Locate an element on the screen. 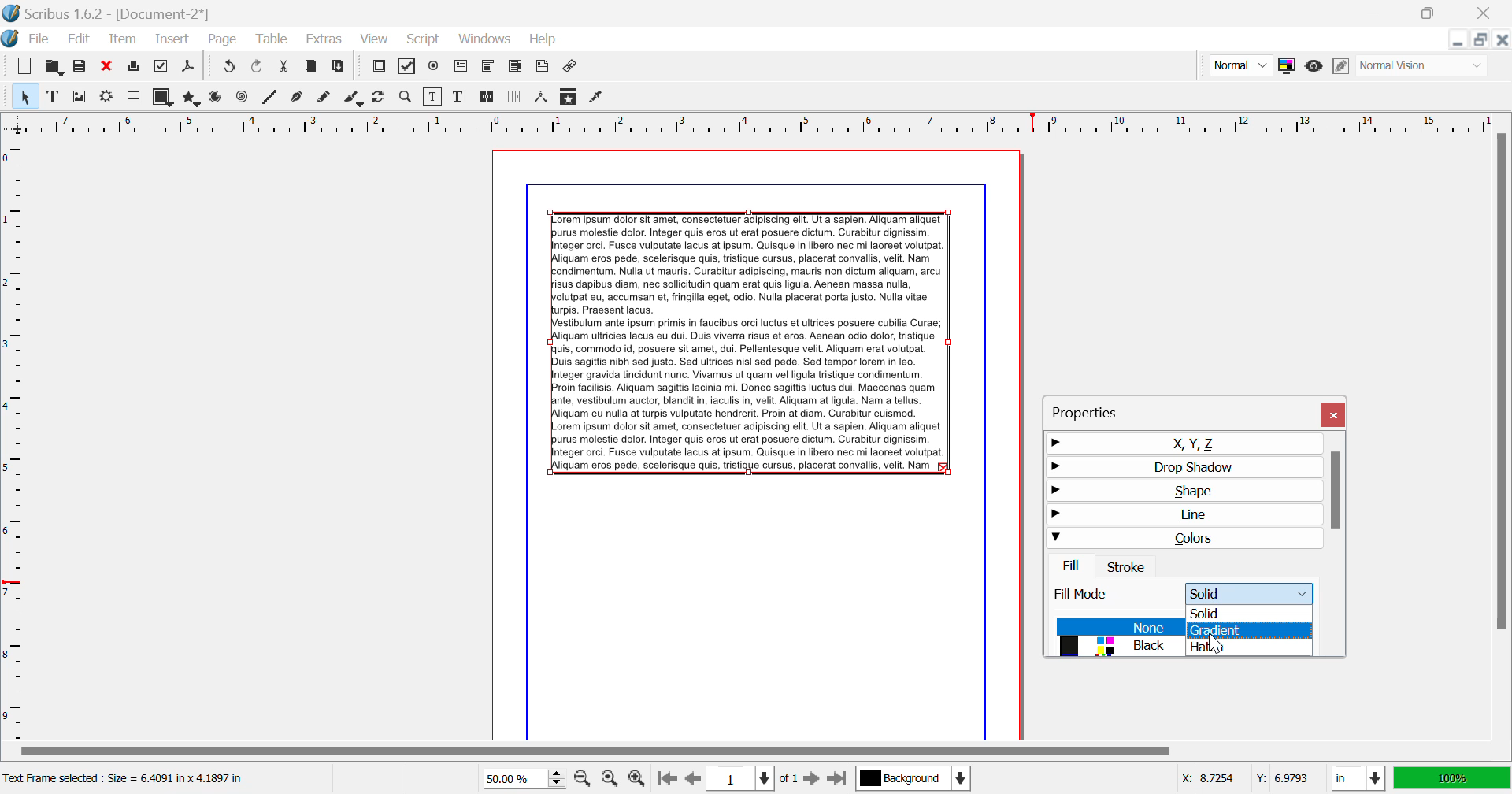 Image resolution: width=1512 pixels, height=794 pixels. Zoom 50% is located at coordinates (518, 778).